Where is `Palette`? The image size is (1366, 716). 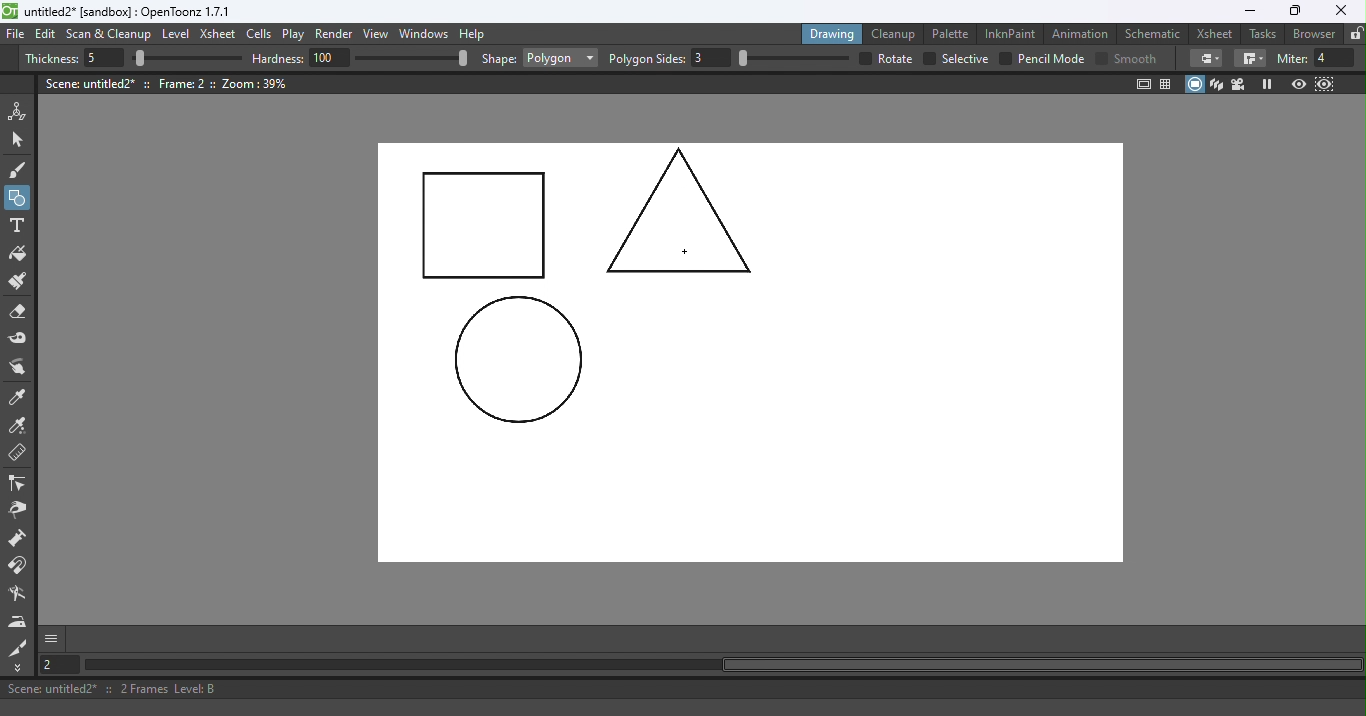 Palette is located at coordinates (953, 33).